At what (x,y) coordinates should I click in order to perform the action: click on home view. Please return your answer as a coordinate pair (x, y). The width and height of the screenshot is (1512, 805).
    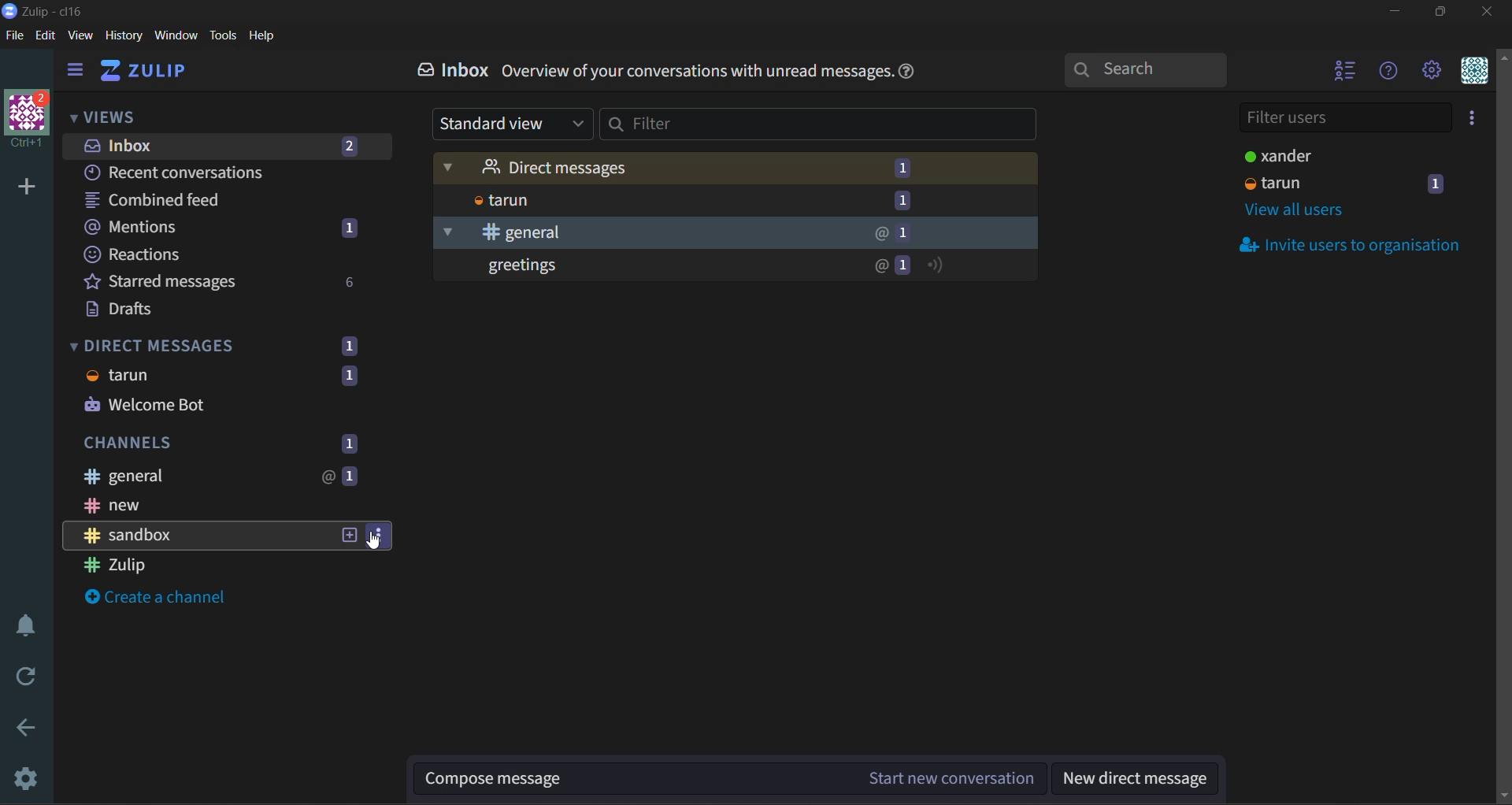
    Looking at the image, I should click on (146, 73).